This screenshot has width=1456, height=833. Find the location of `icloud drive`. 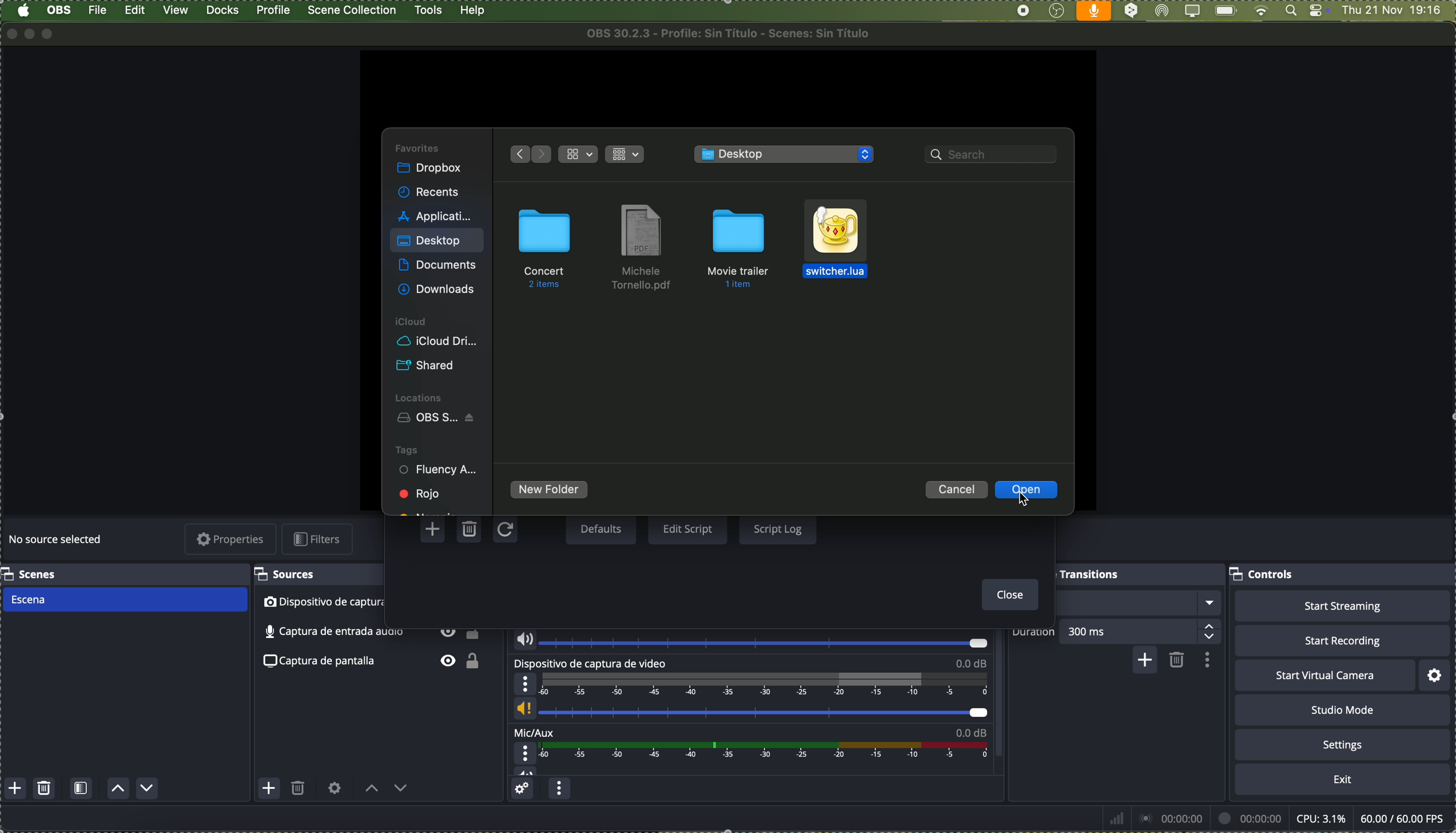

icloud drive is located at coordinates (437, 342).